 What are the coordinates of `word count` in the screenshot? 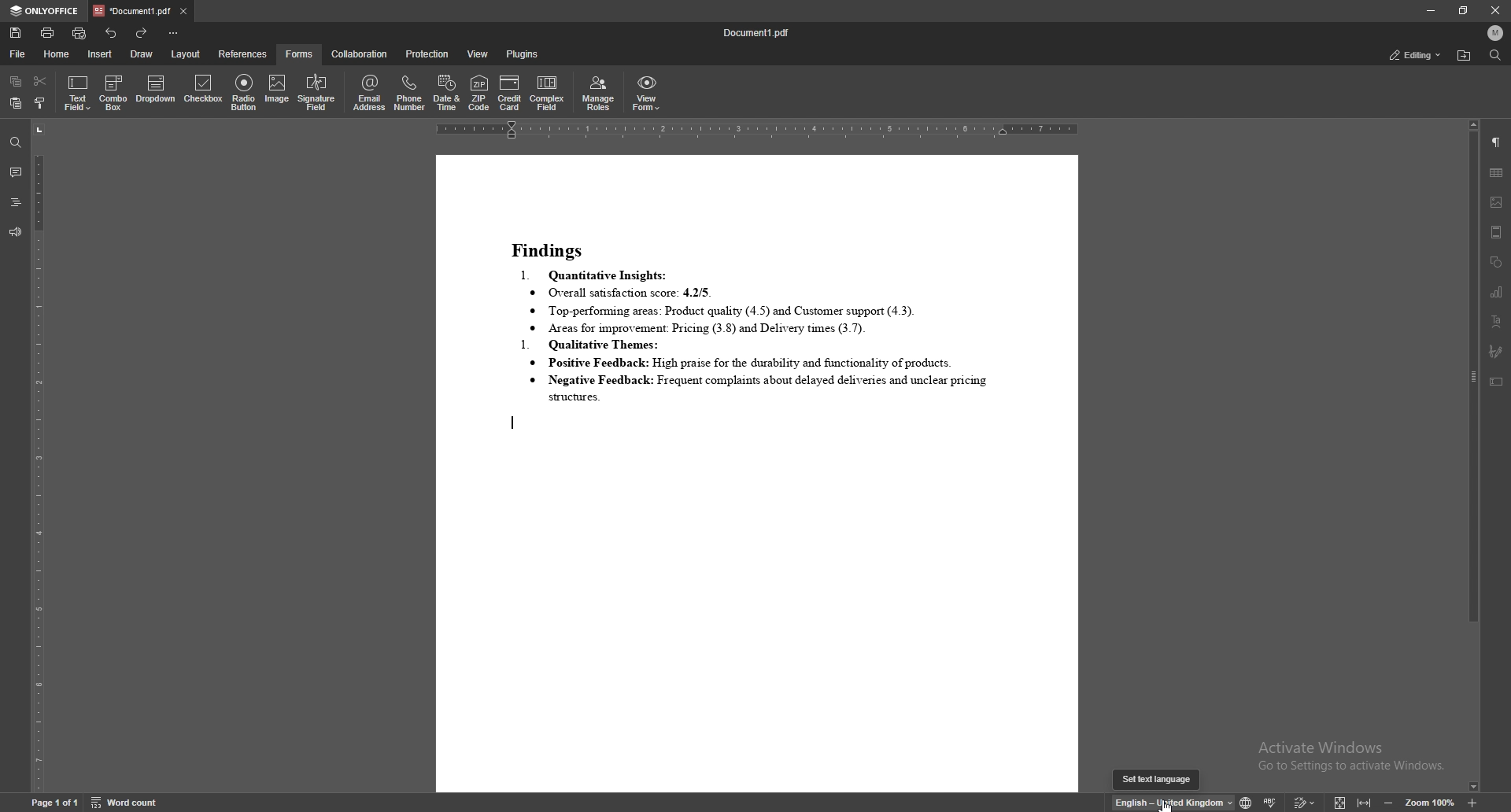 It's located at (126, 803).